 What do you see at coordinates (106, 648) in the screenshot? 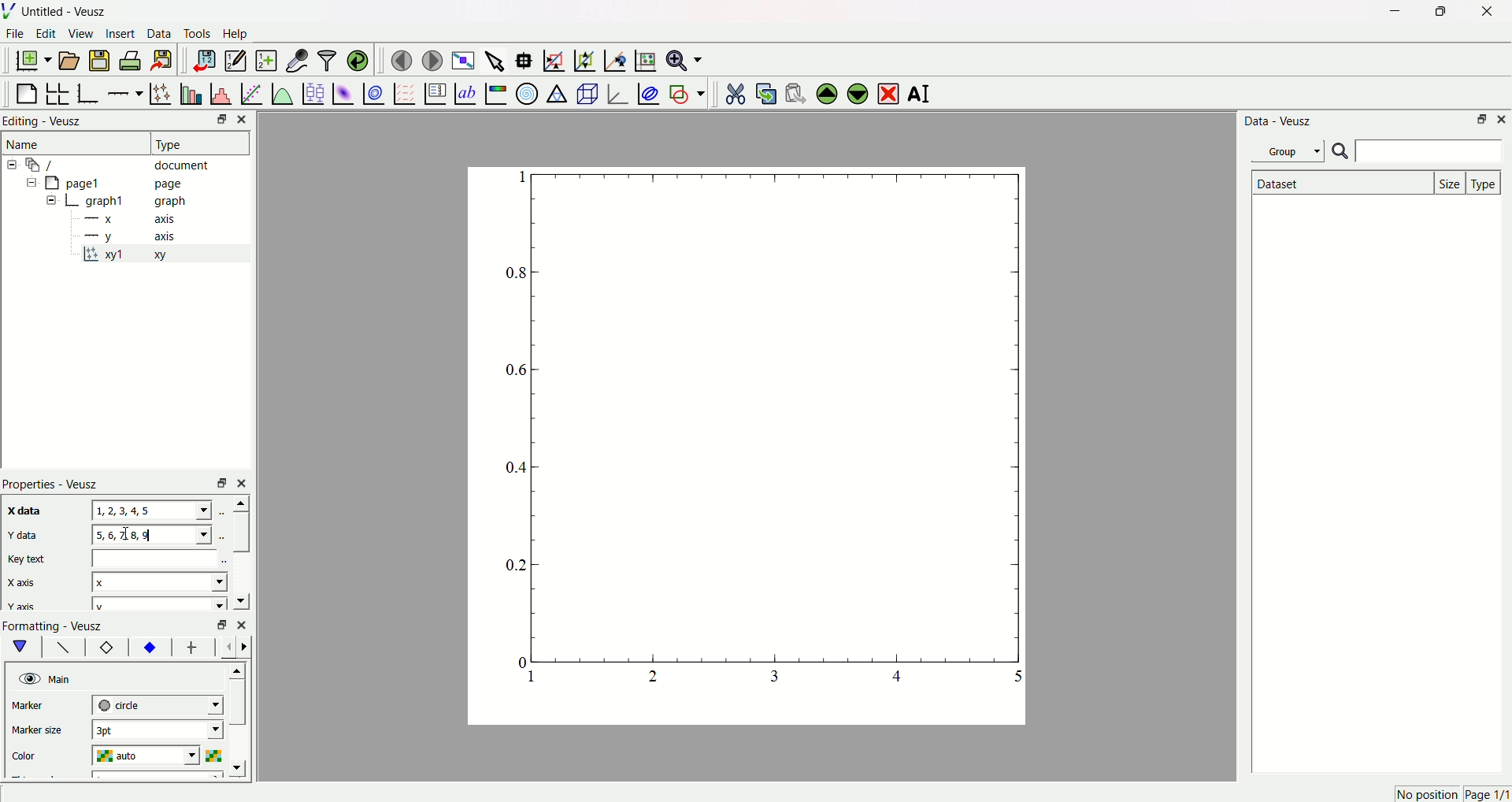
I see `border` at bounding box center [106, 648].